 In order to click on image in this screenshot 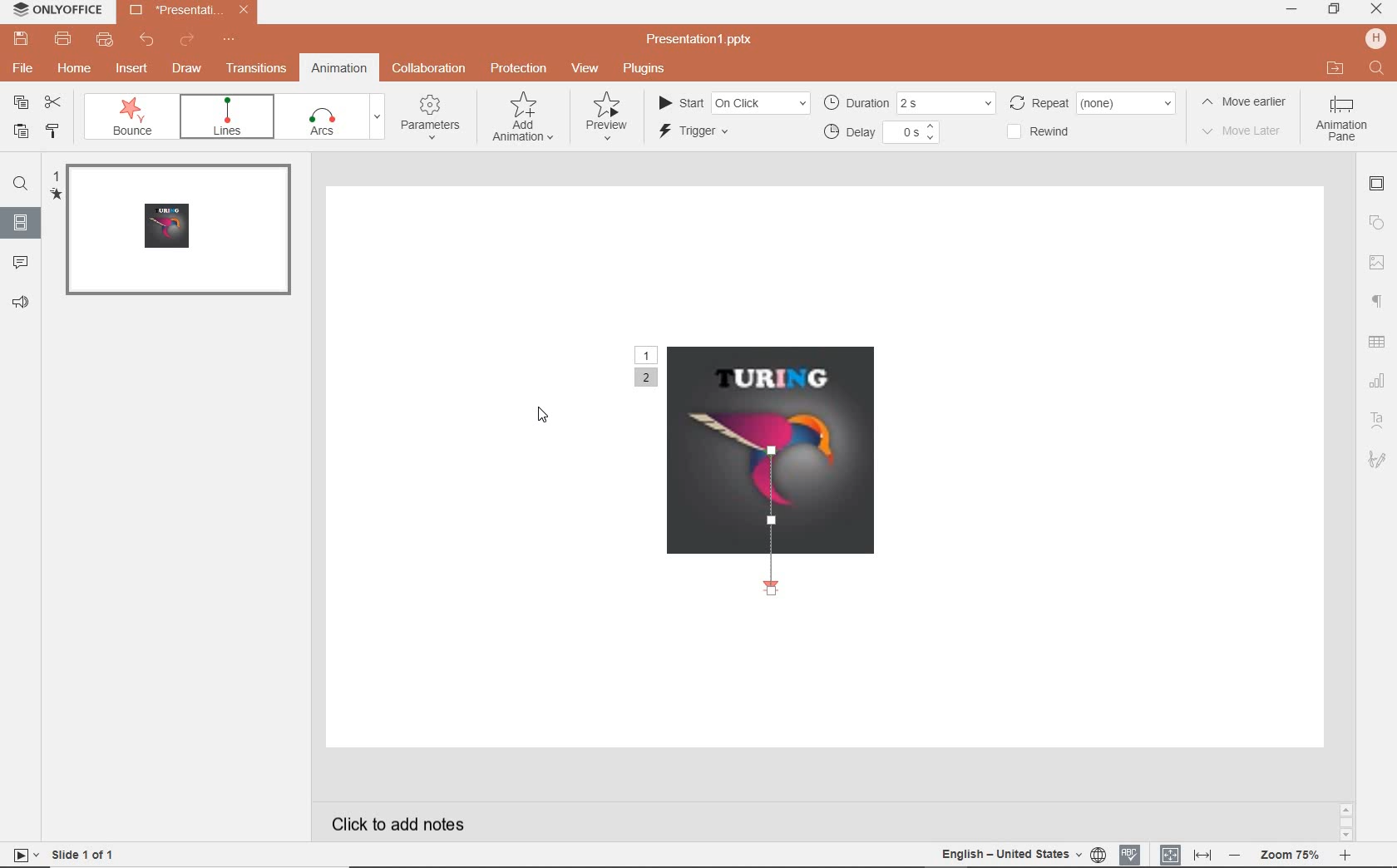, I will do `click(1379, 264)`.